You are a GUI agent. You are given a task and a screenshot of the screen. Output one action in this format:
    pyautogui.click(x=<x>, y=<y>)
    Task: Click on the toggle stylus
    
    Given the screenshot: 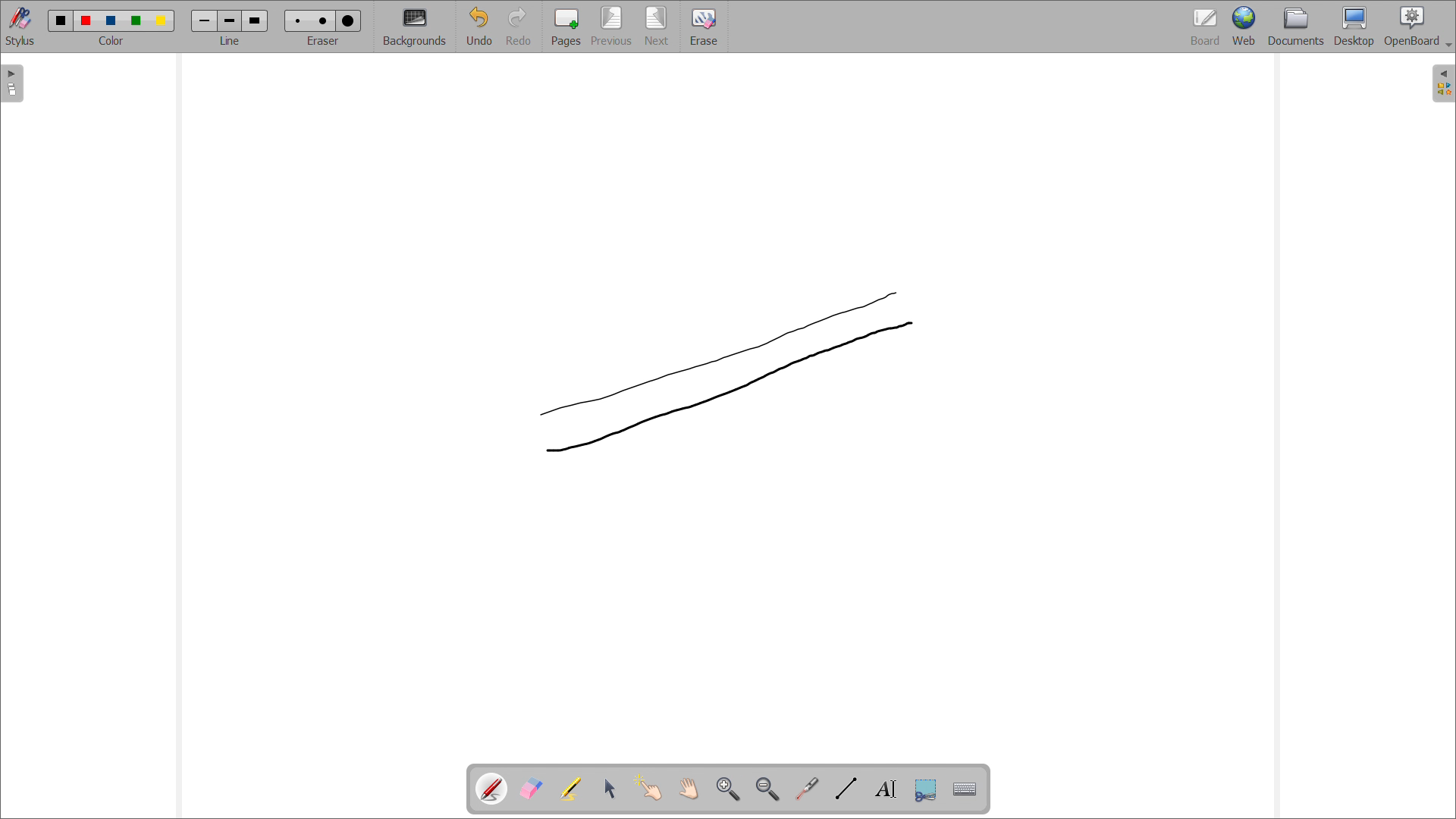 What is the action you would take?
    pyautogui.click(x=20, y=26)
    